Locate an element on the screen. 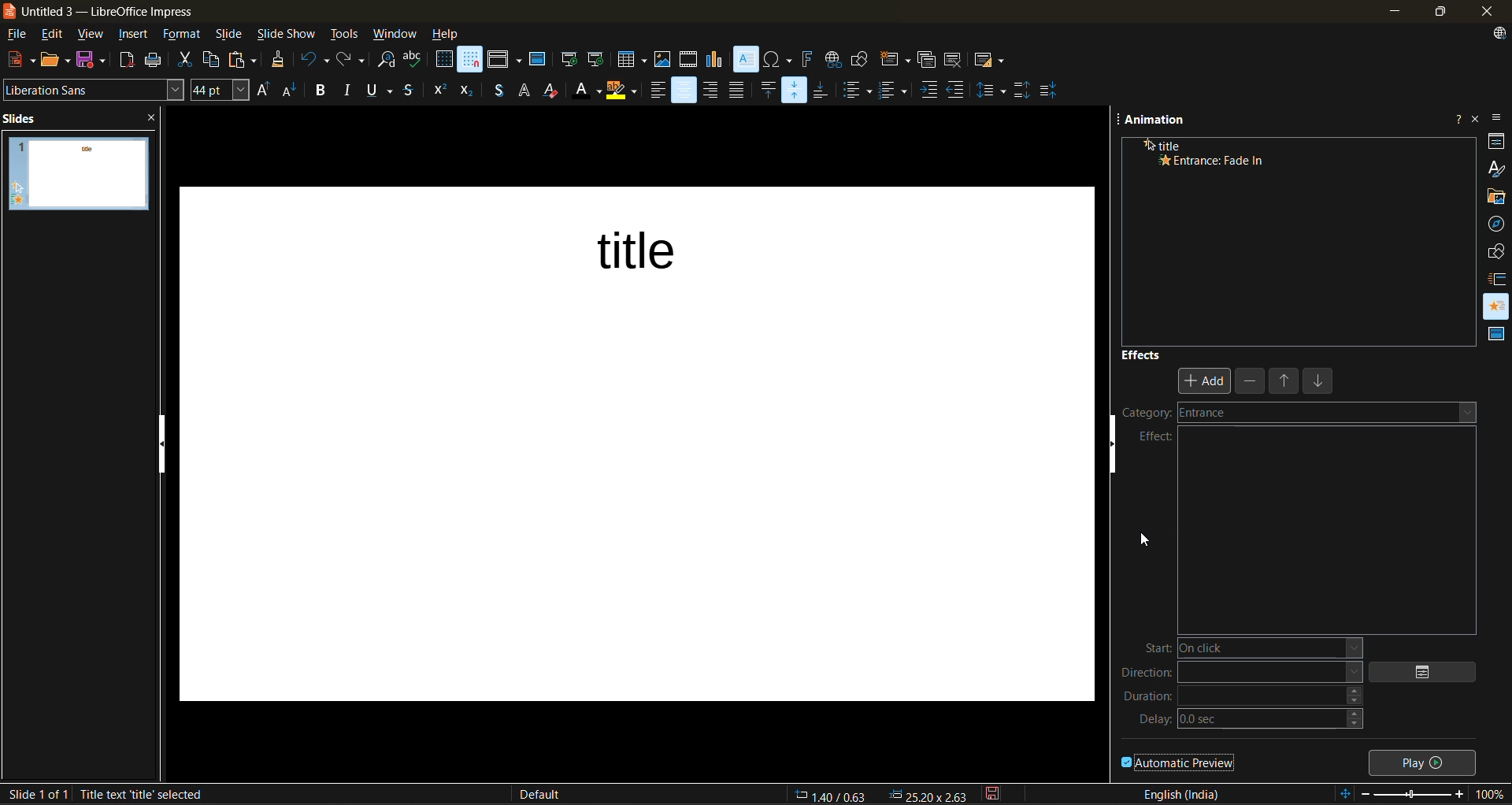 This screenshot has width=1512, height=805. vertical scroll bar is located at coordinates (1102, 429).